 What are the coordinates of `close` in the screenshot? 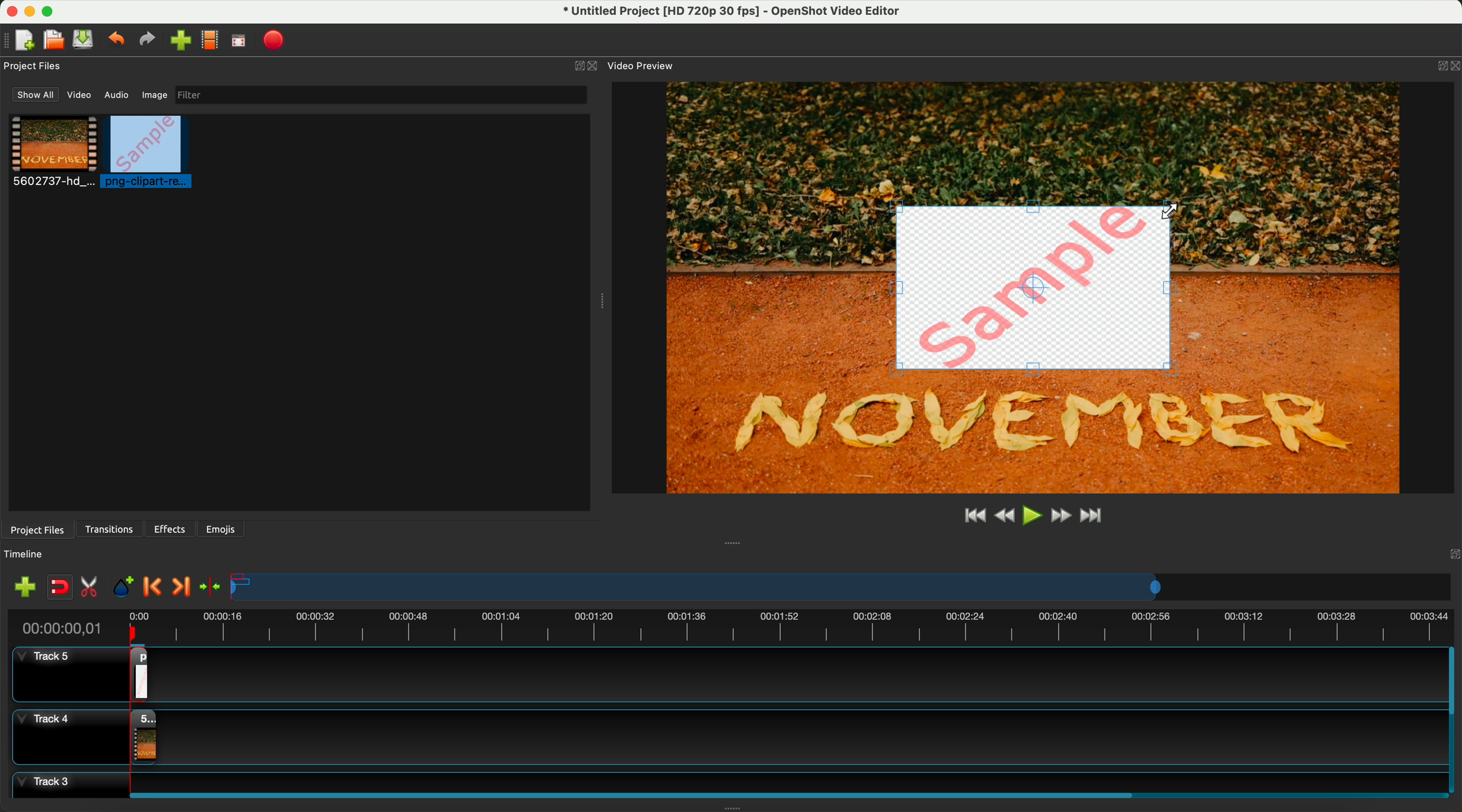 It's located at (586, 66).